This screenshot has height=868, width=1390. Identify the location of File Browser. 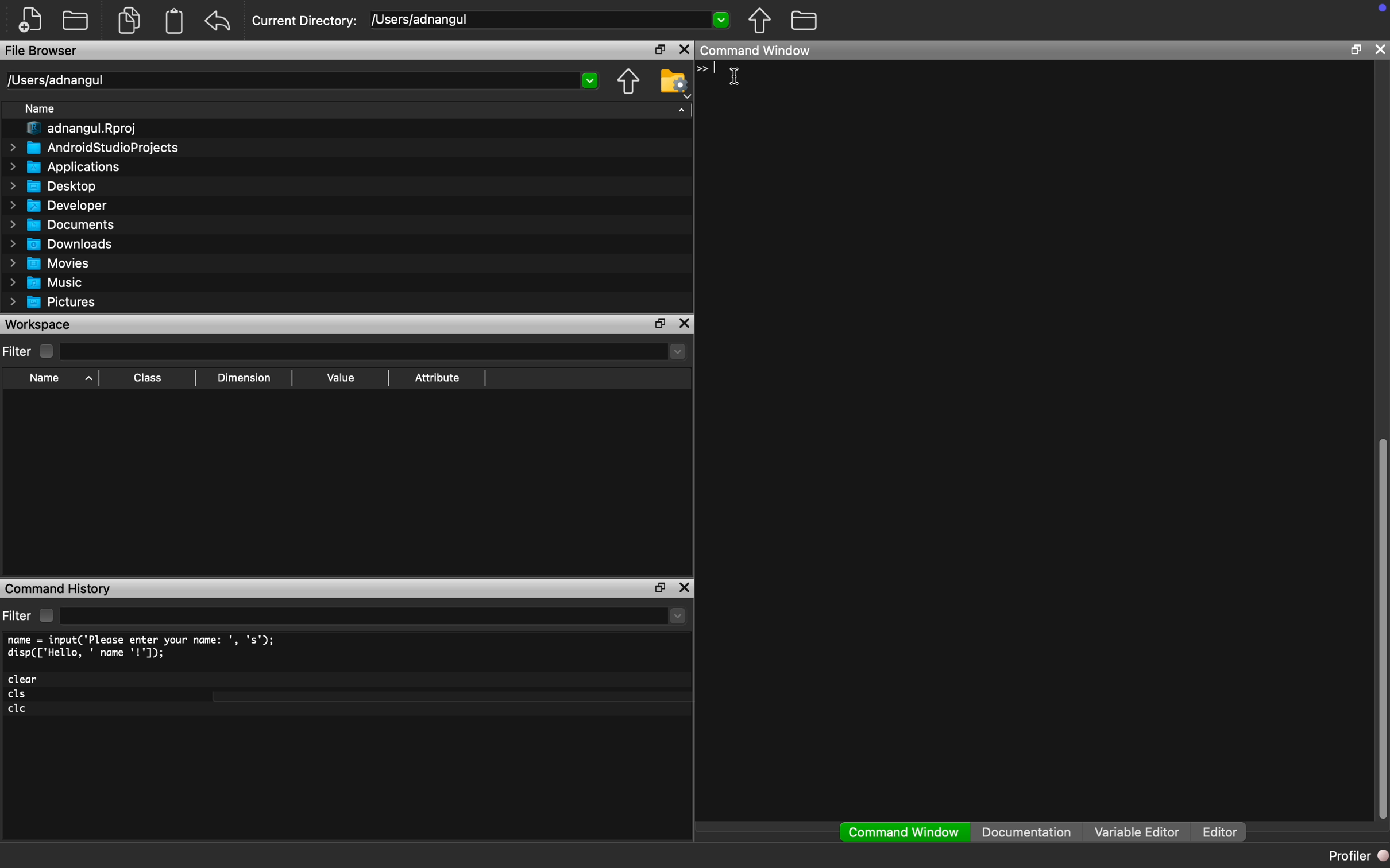
(42, 50).